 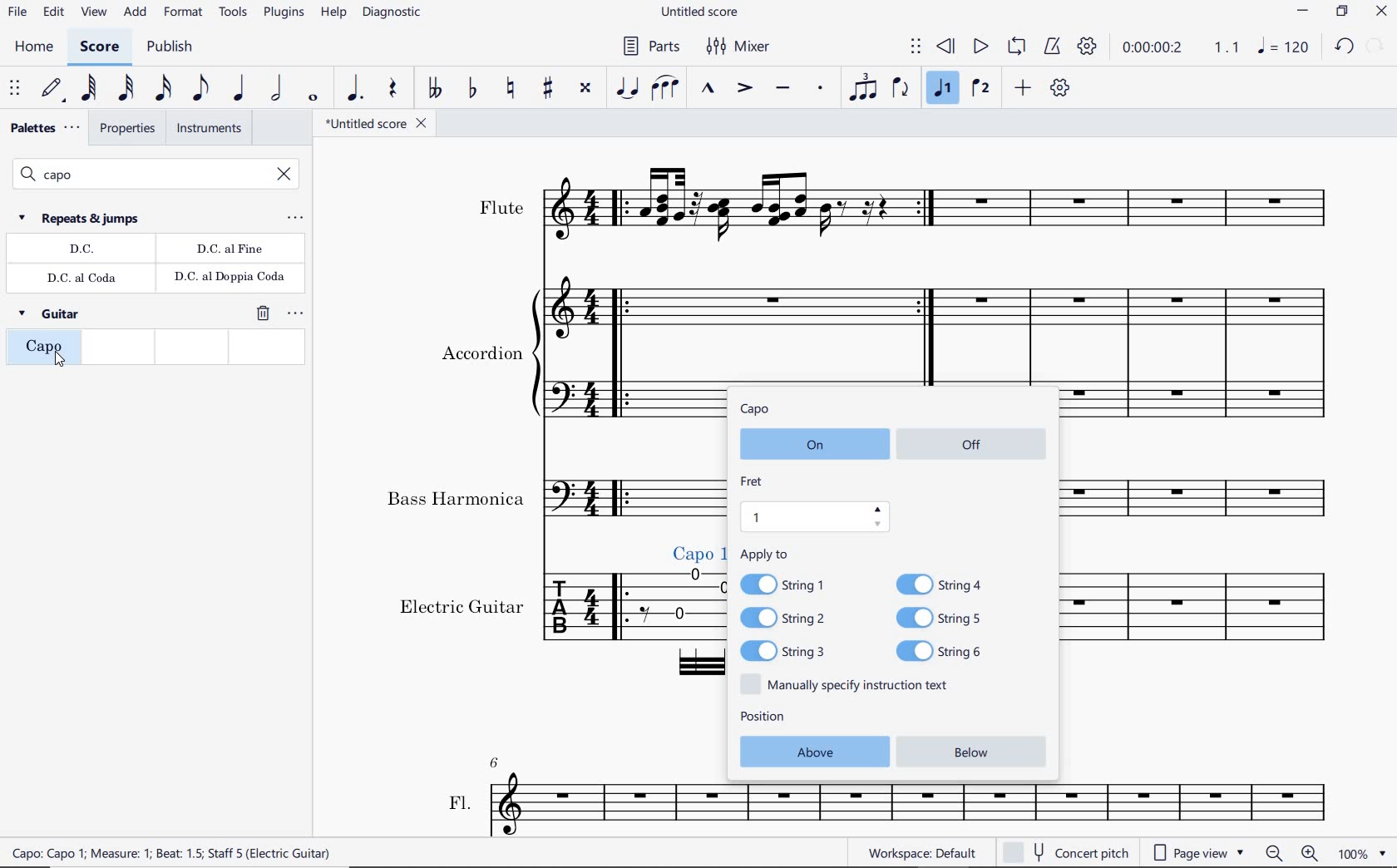 I want to click on 16th note, so click(x=164, y=86).